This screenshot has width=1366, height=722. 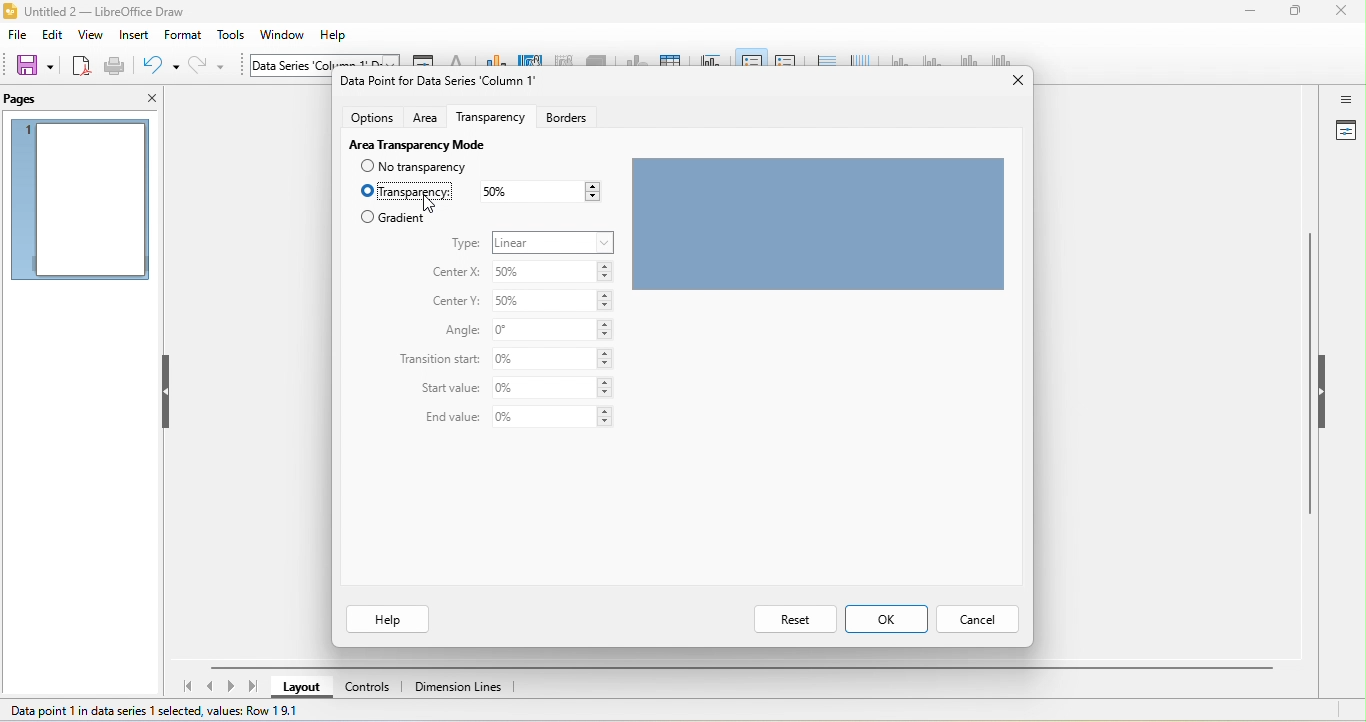 What do you see at coordinates (453, 331) in the screenshot?
I see `angle` at bounding box center [453, 331].